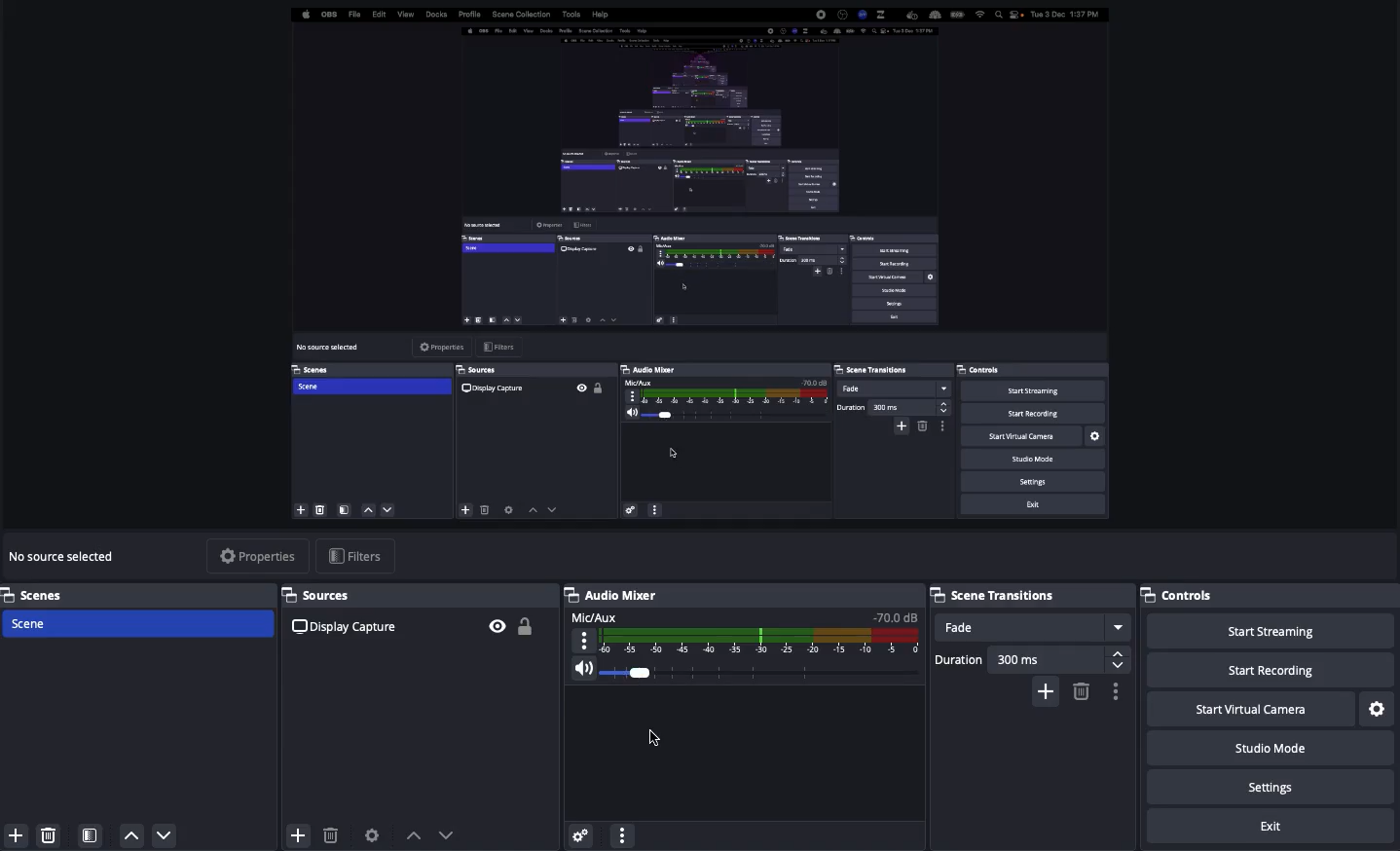 Image resolution: width=1400 pixels, height=851 pixels. What do you see at coordinates (1046, 689) in the screenshot?
I see `Add` at bounding box center [1046, 689].